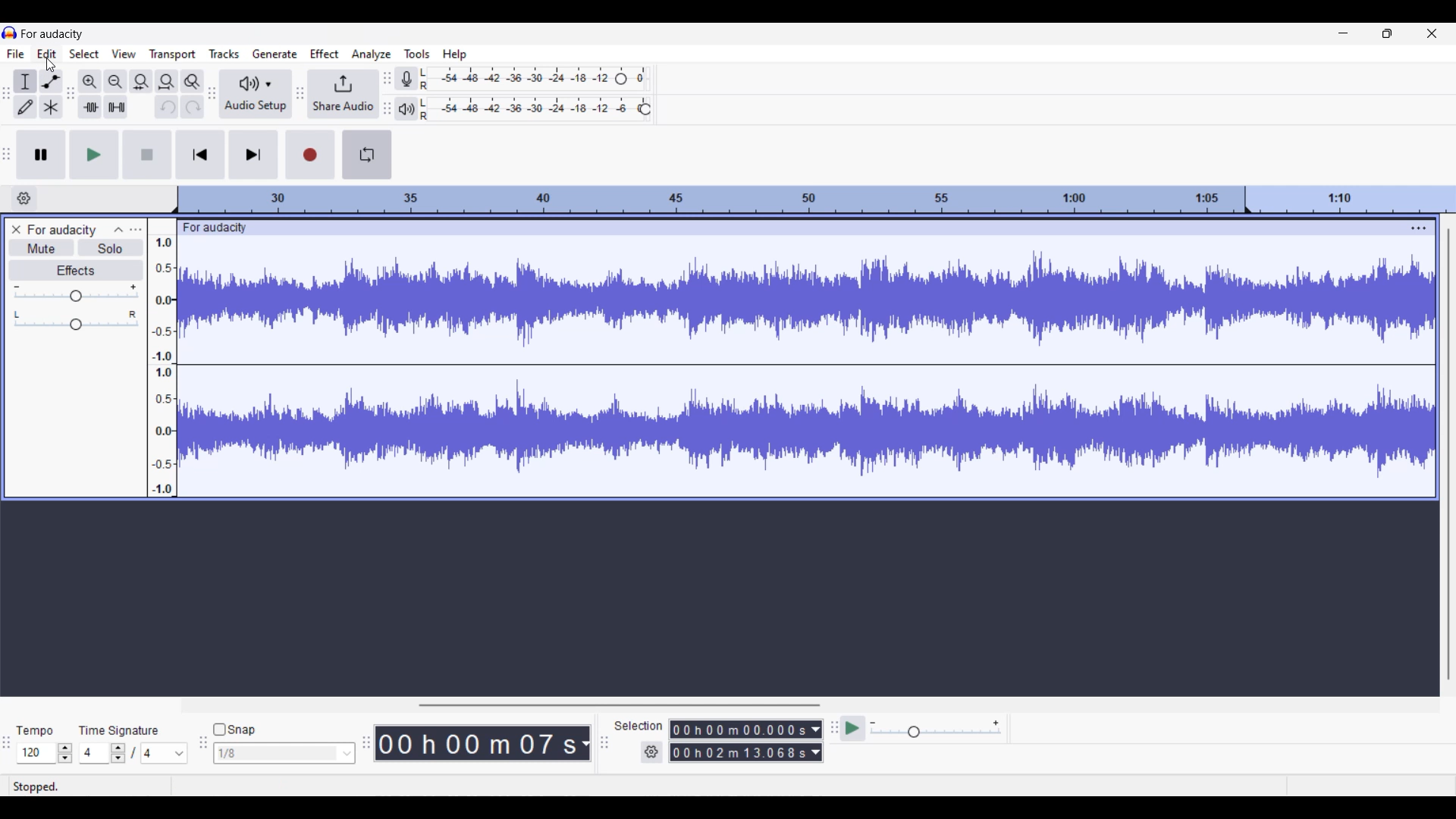  Describe the element at coordinates (120, 730) in the screenshot. I see `time signature` at that location.